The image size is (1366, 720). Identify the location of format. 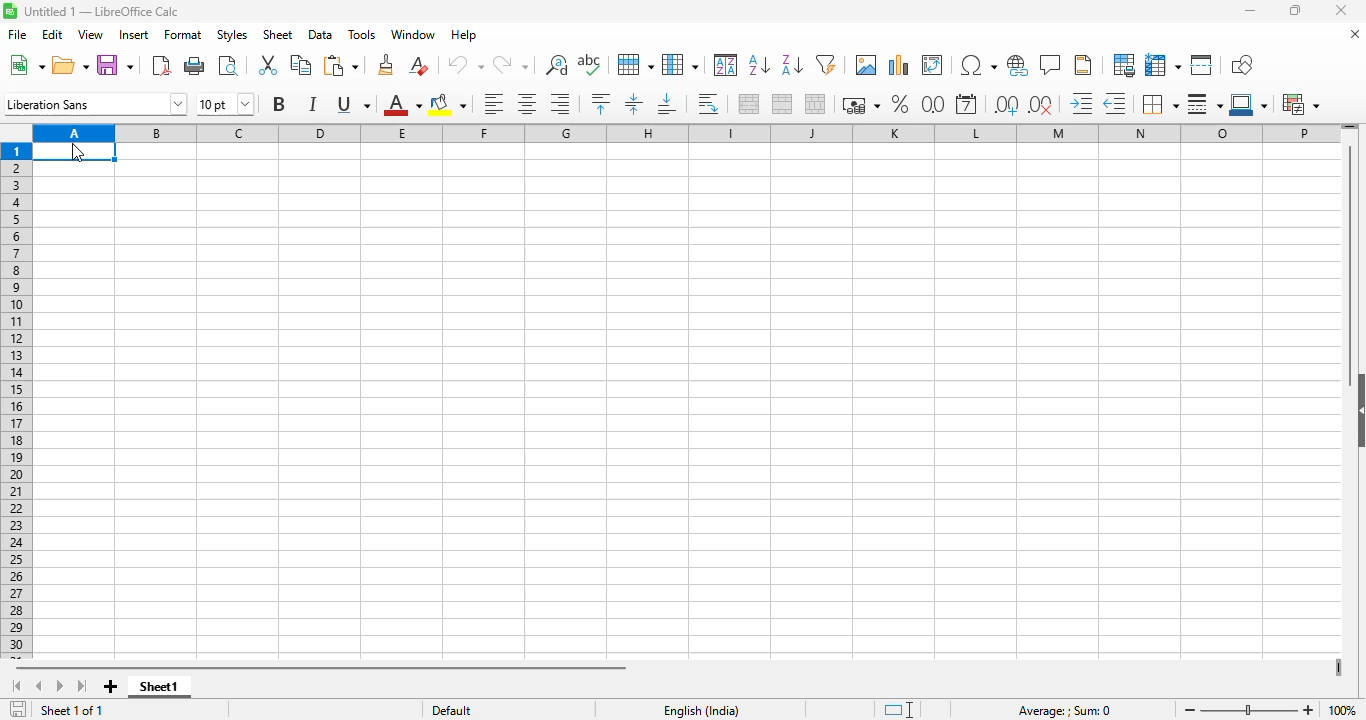
(183, 35).